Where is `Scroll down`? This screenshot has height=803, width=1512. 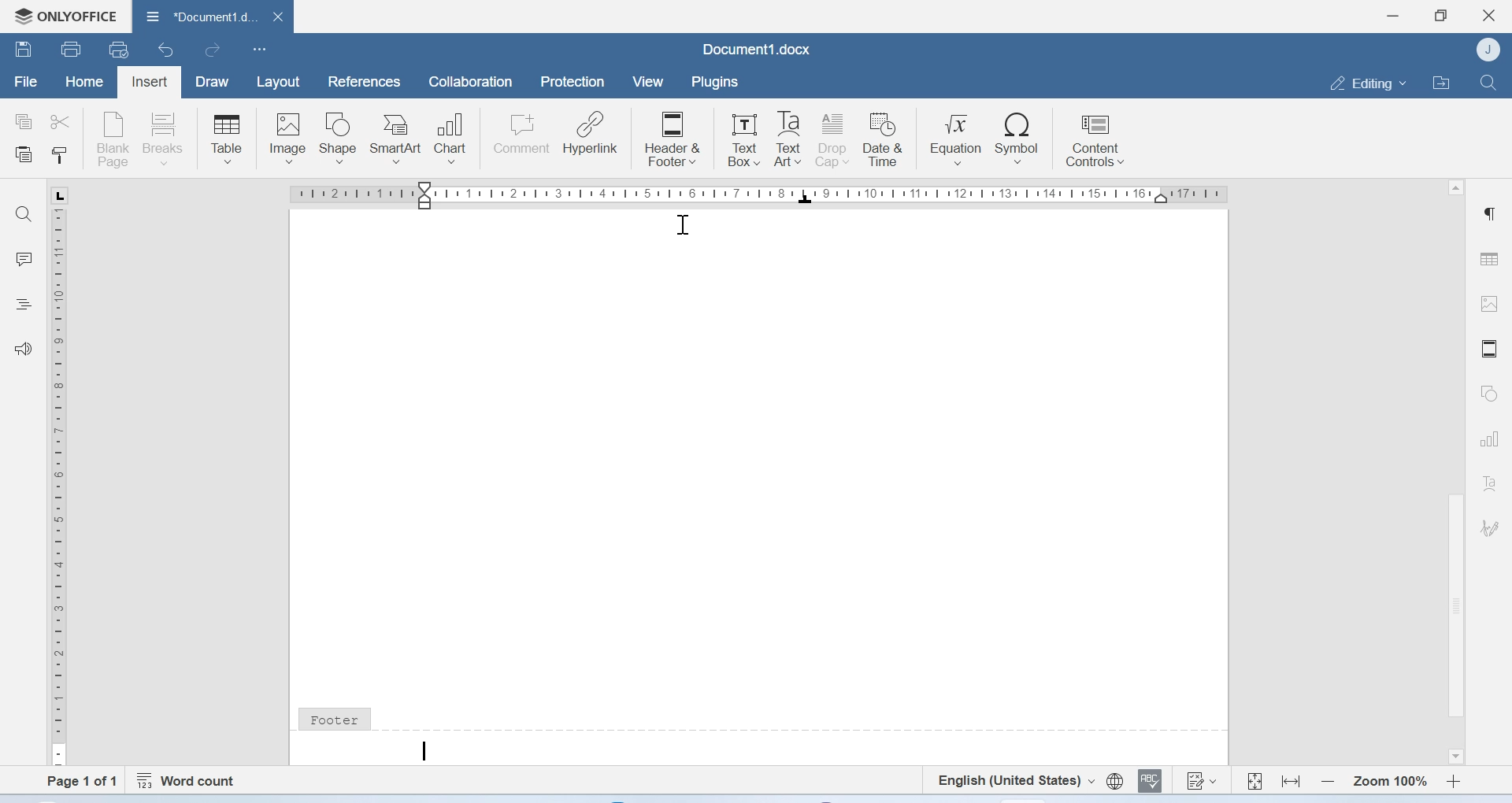 Scroll down is located at coordinates (1454, 757).